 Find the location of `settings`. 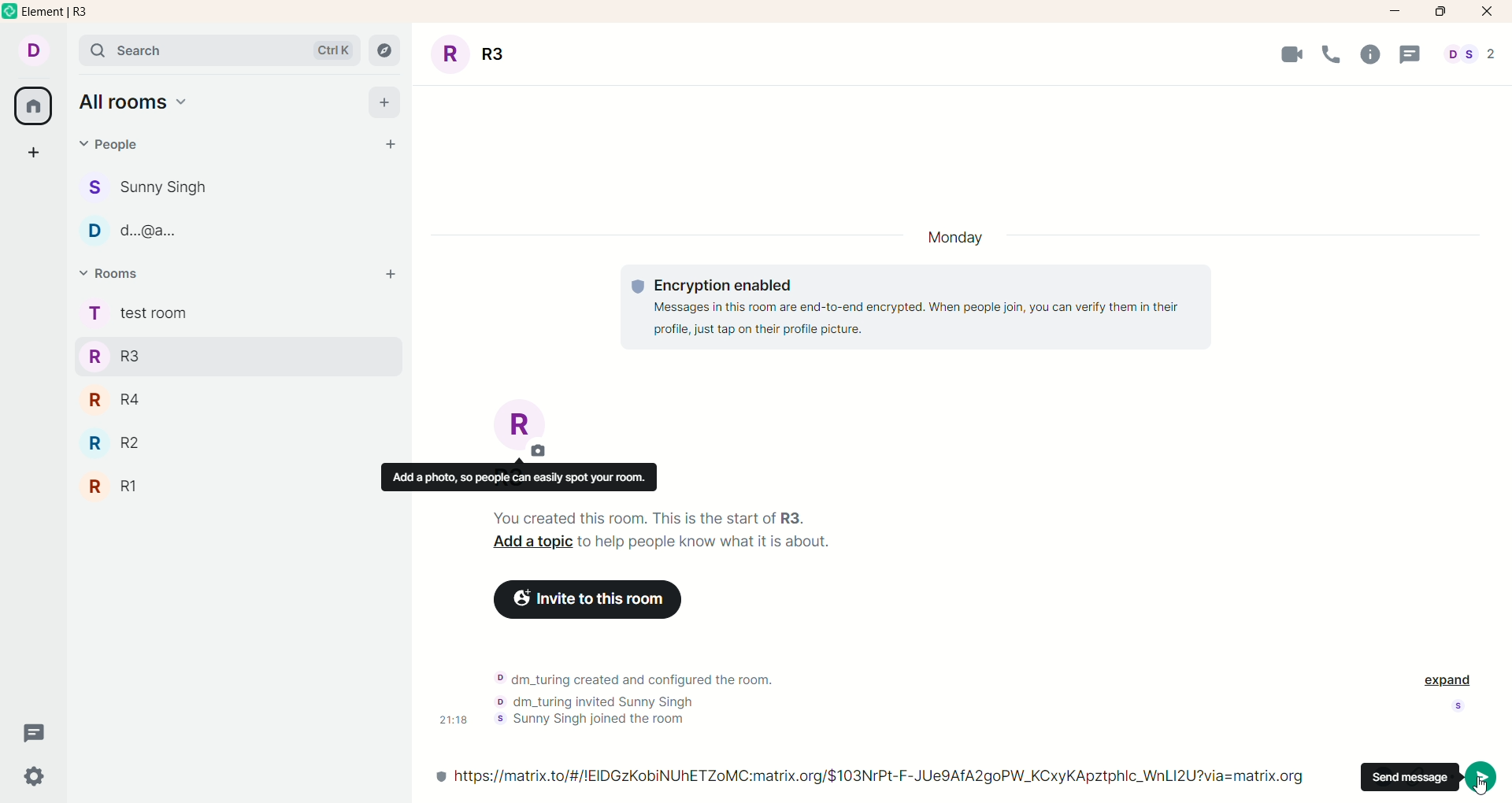

settings is located at coordinates (40, 777).